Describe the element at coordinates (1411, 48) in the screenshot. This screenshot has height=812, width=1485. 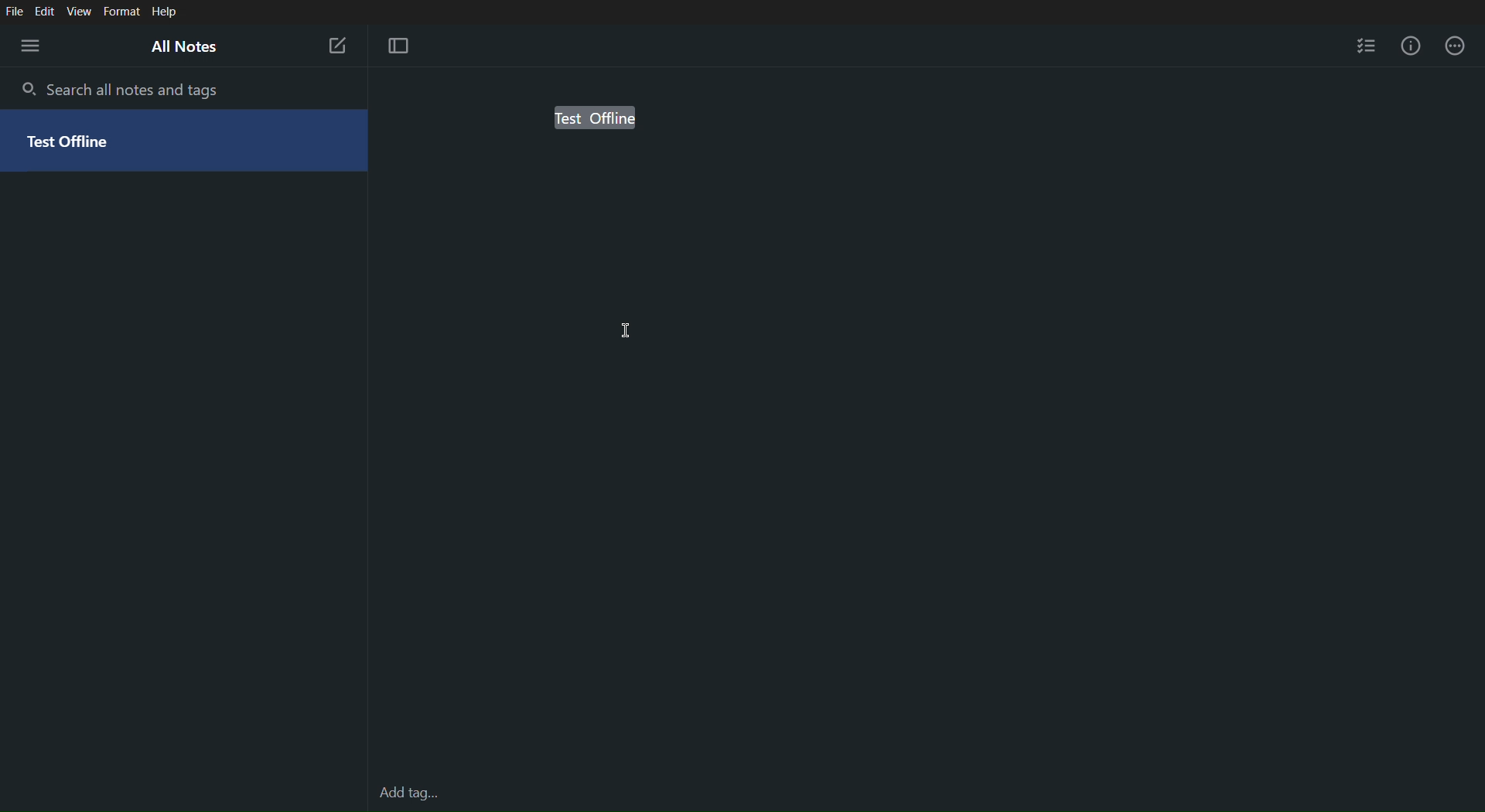
I see `Info` at that location.